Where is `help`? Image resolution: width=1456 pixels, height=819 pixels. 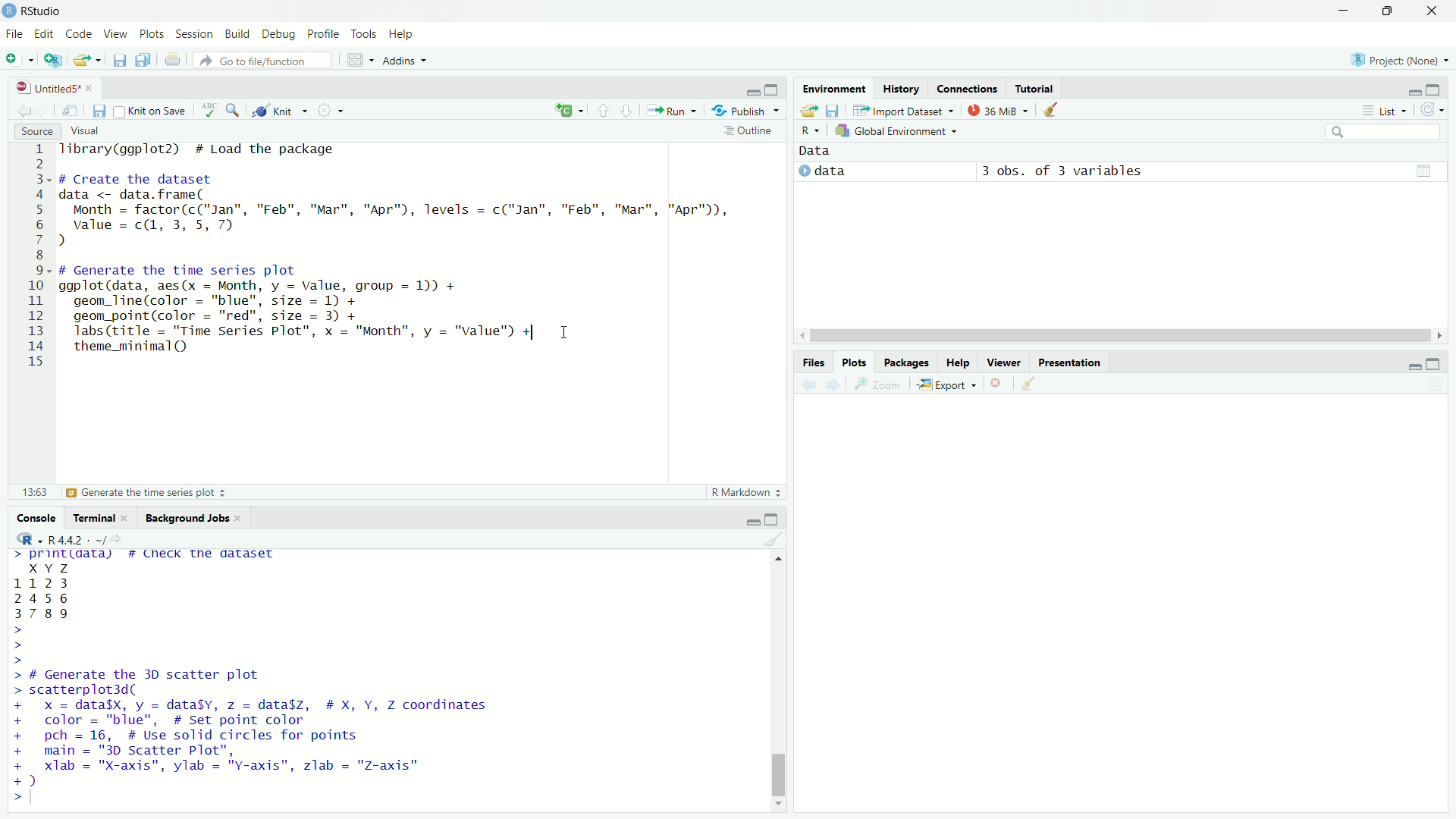
help is located at coordinates (959, 362).